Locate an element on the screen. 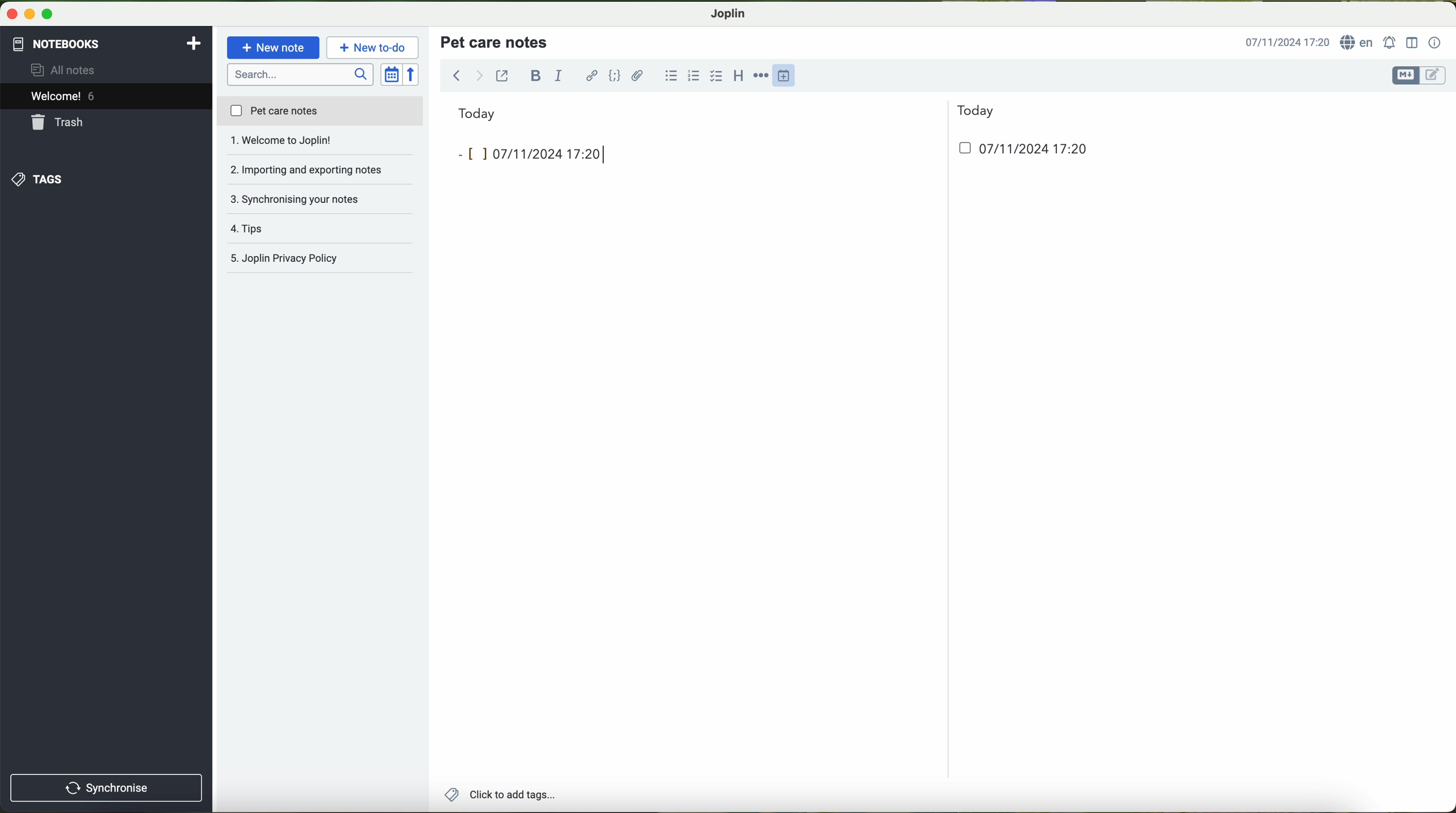 This screenshot has width=1456, height=813. Joplin privacy policy is located at coordinates (321, 229).